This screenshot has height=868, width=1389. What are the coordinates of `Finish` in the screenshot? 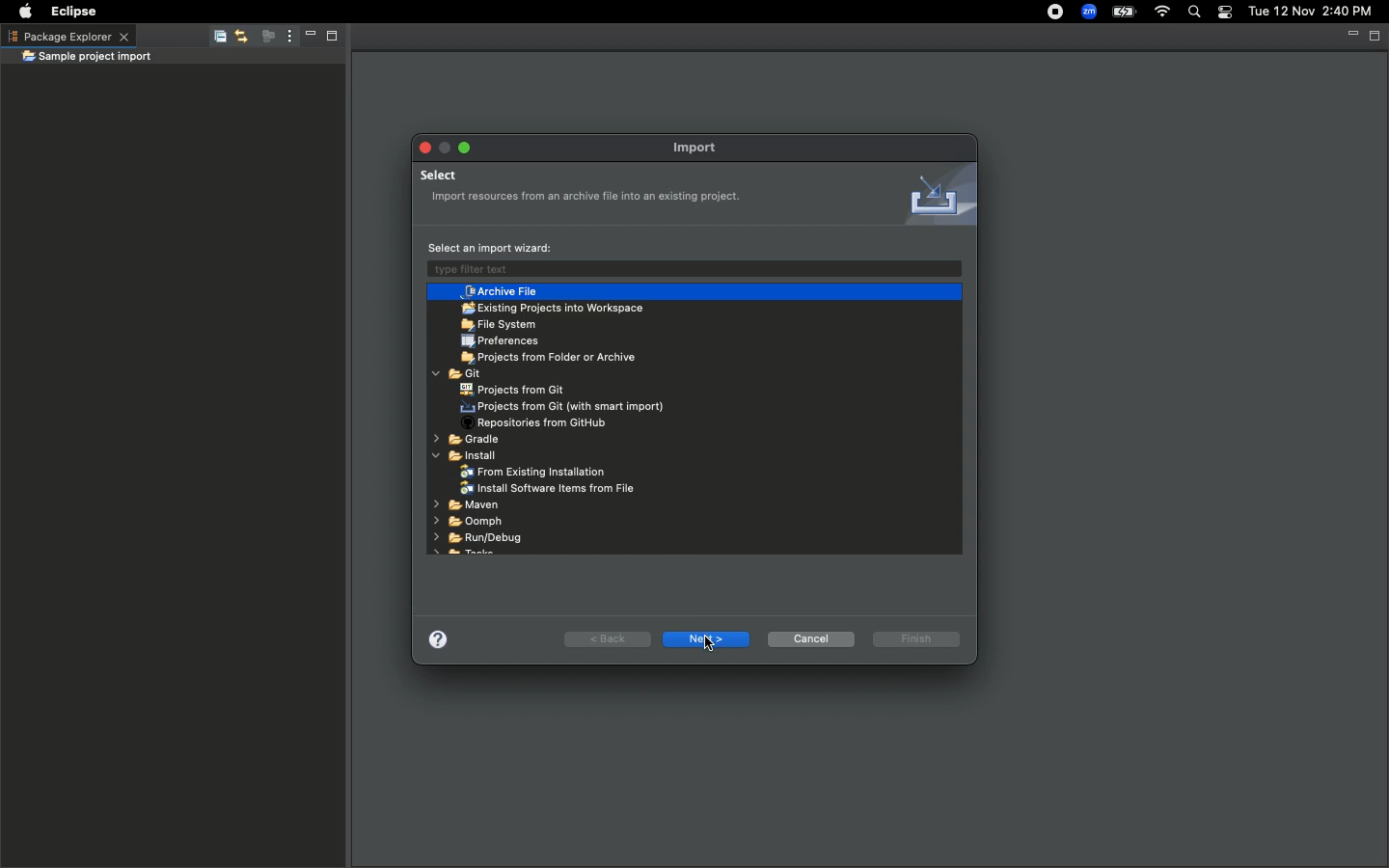 It's located at (917, 638).